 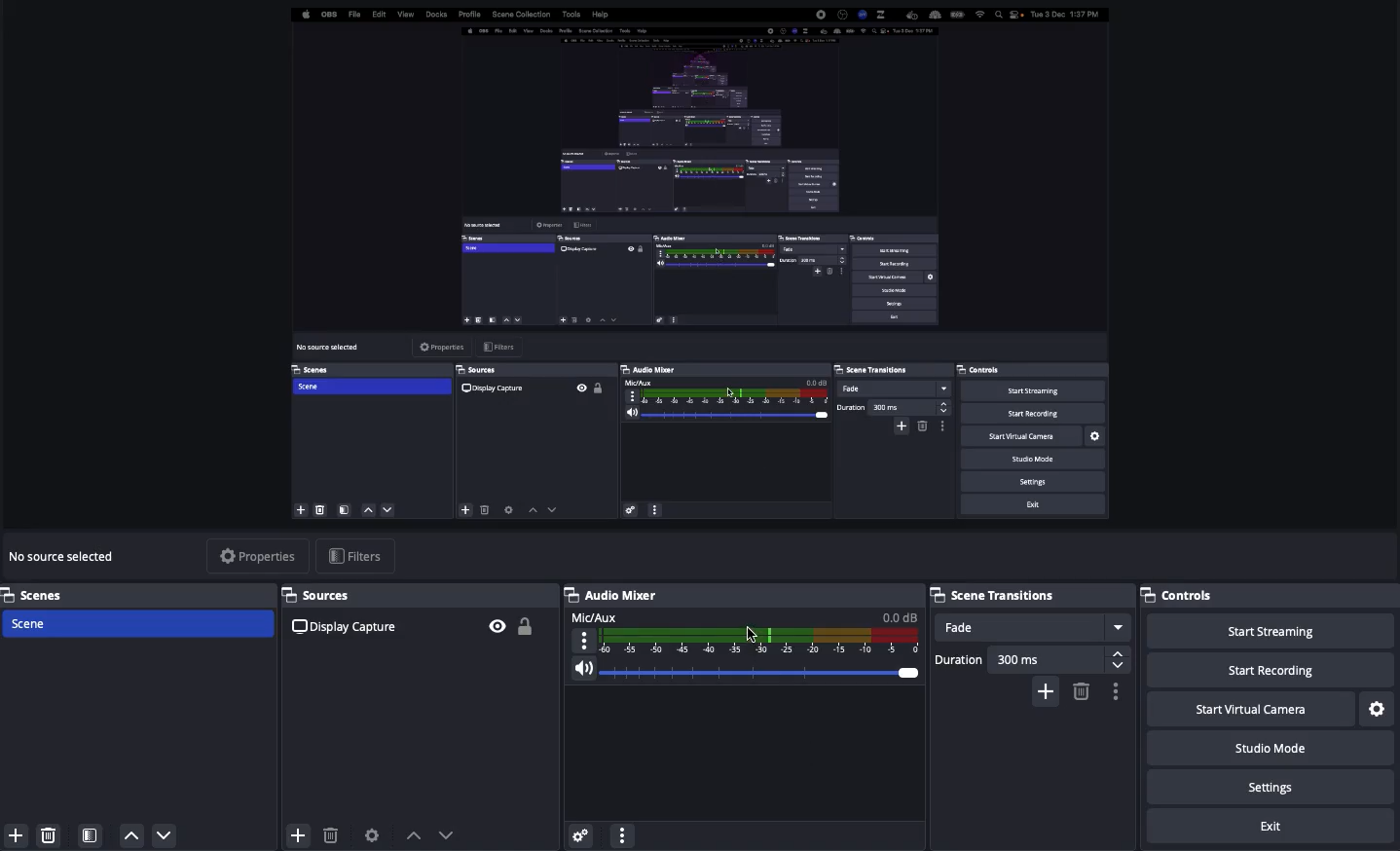 What do you see at coordinates (13, 835) in the screenshot?
I see `Add` at bounding box center [13, 835].